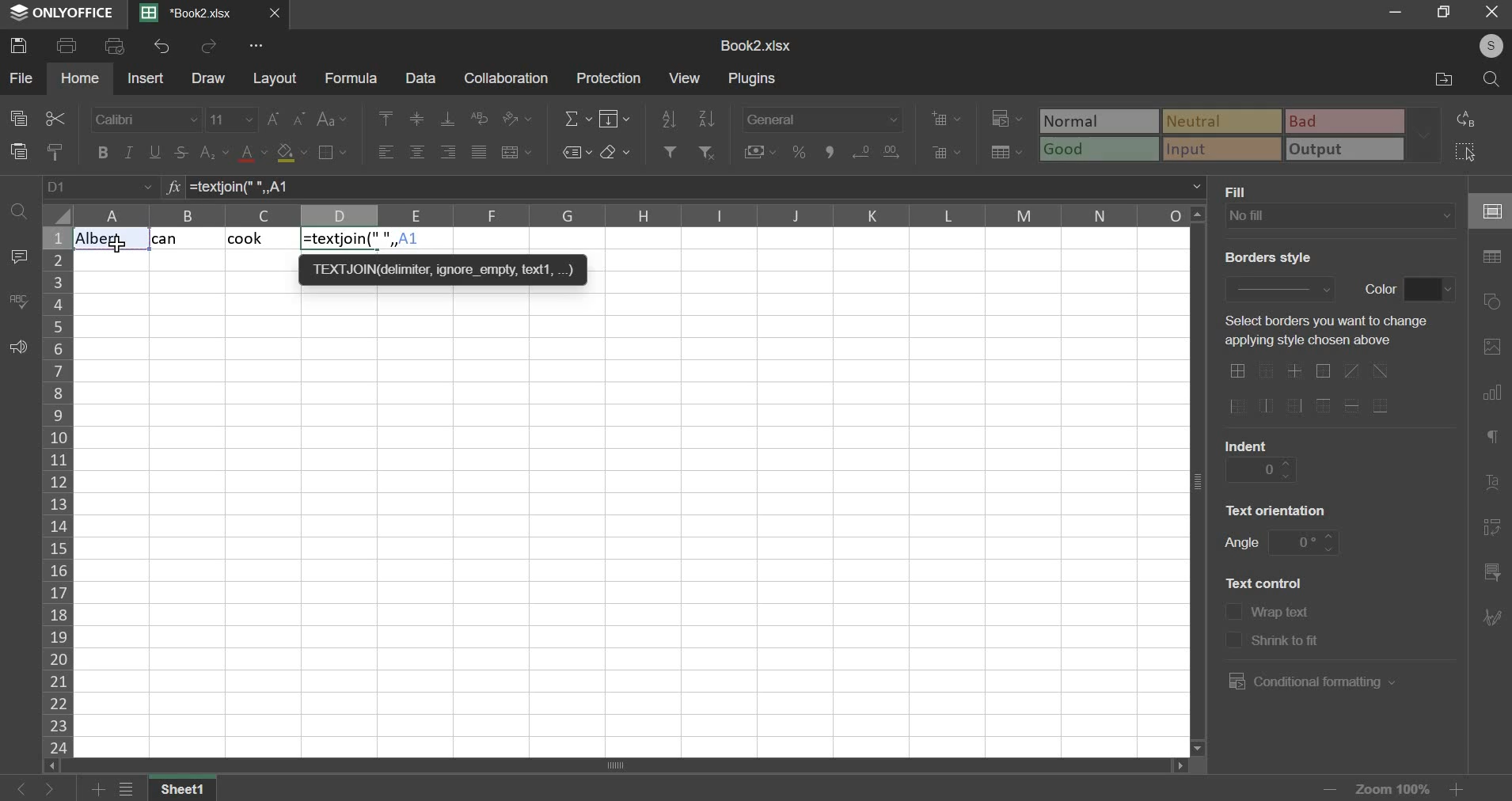 The height and width of the screenshot is (801, 1512). Describe the element at coordinates (633, 216) in the screenshot. I see `columns` at that location.